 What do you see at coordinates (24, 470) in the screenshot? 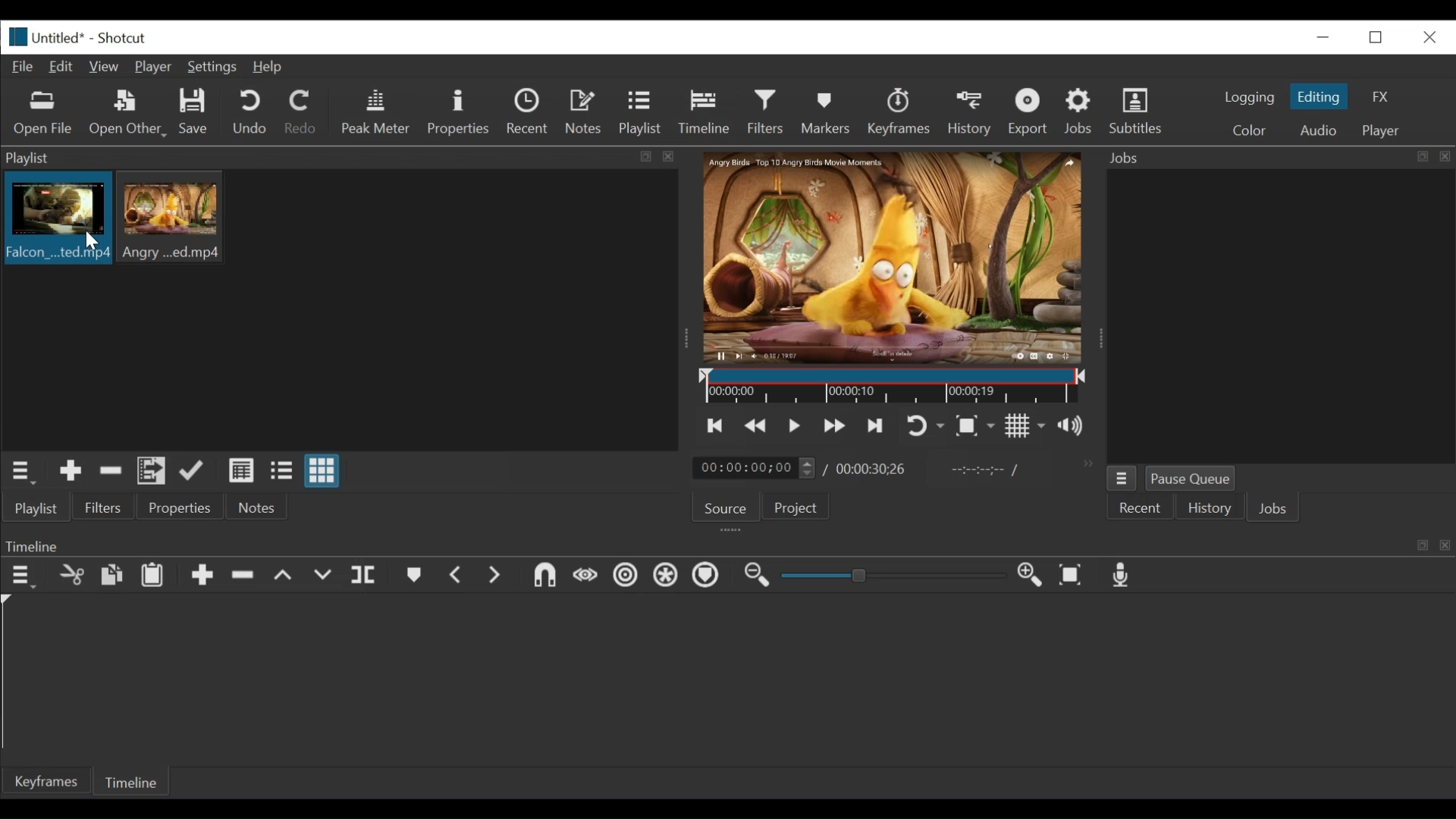
I see `playlist menu` at bounding box center [24, 470].